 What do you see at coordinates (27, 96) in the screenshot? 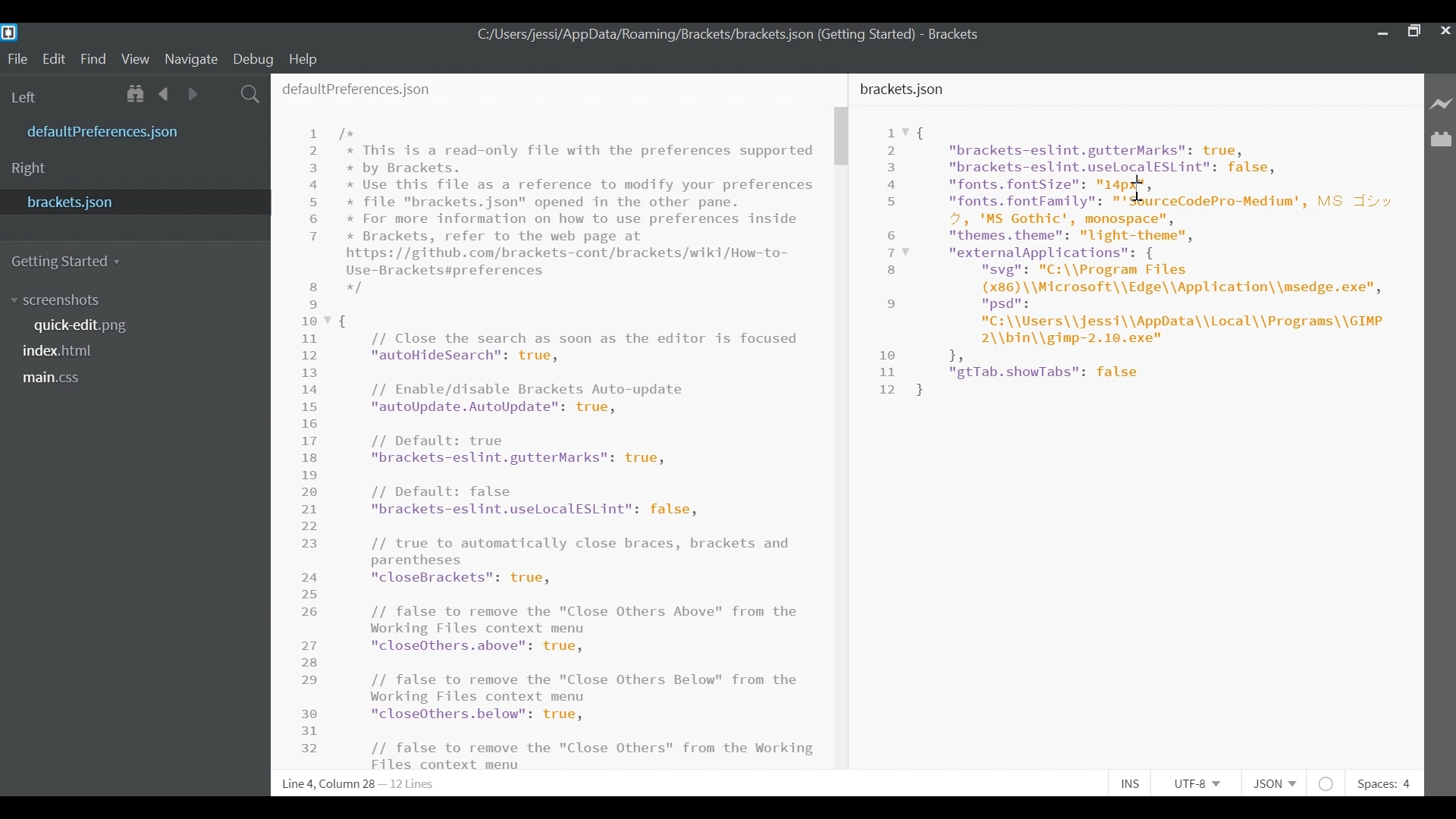
I see `Left` at bounding box center [27, 96].